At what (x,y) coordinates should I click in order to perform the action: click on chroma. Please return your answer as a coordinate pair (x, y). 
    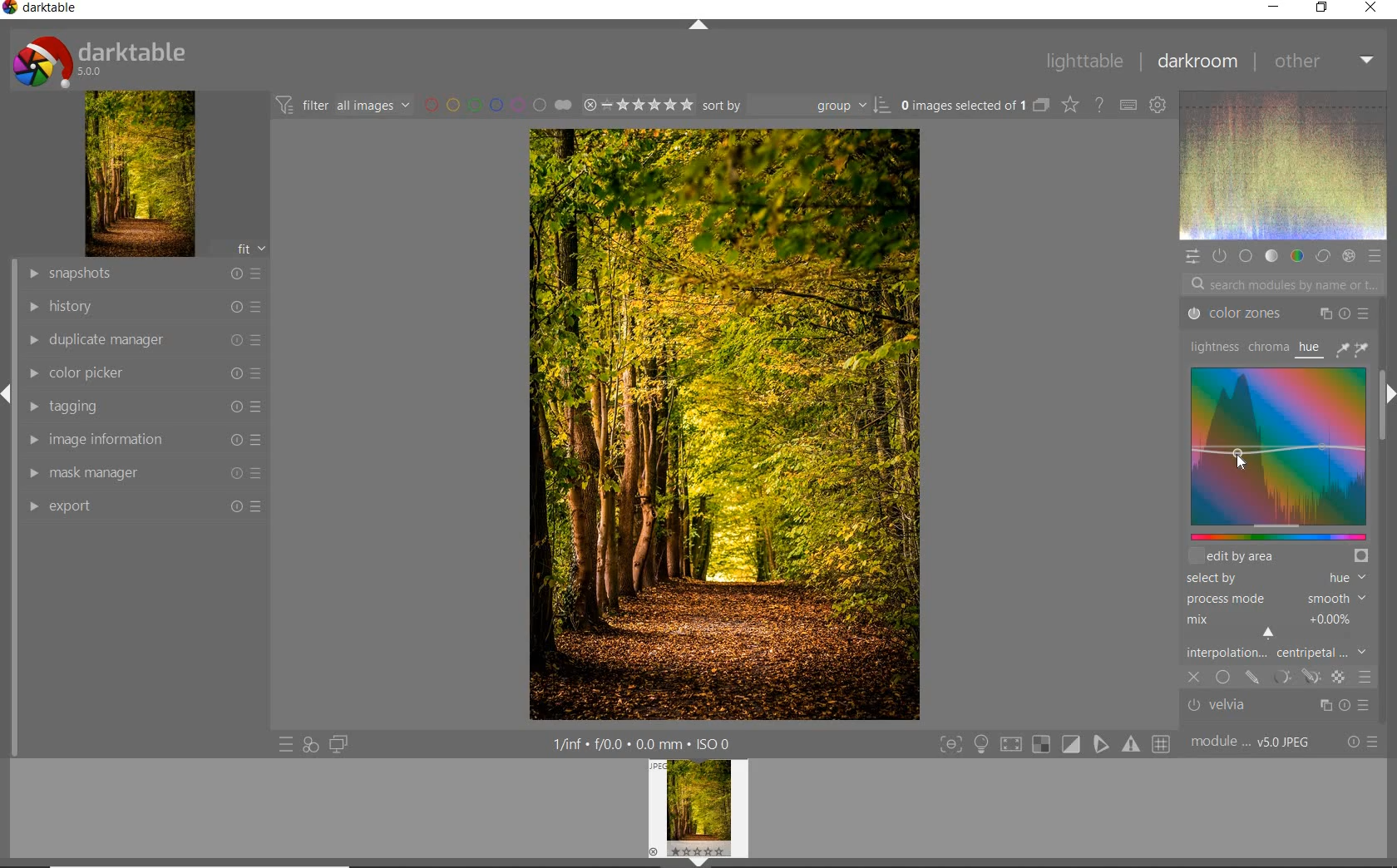
    Looking at the image, I should click on (1266, 348).